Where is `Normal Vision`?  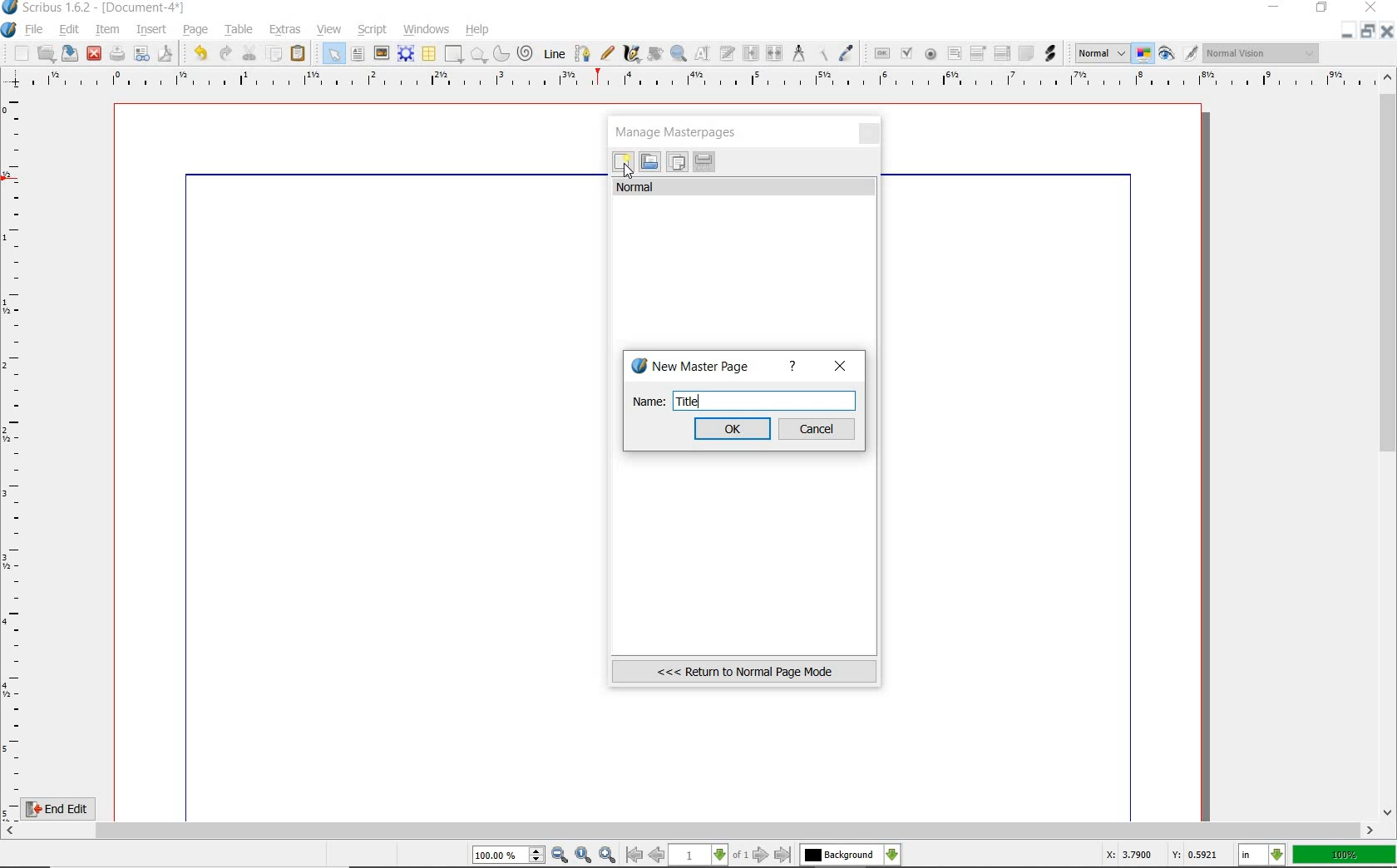
Normal Vision is located at coordinates (1262, 55).